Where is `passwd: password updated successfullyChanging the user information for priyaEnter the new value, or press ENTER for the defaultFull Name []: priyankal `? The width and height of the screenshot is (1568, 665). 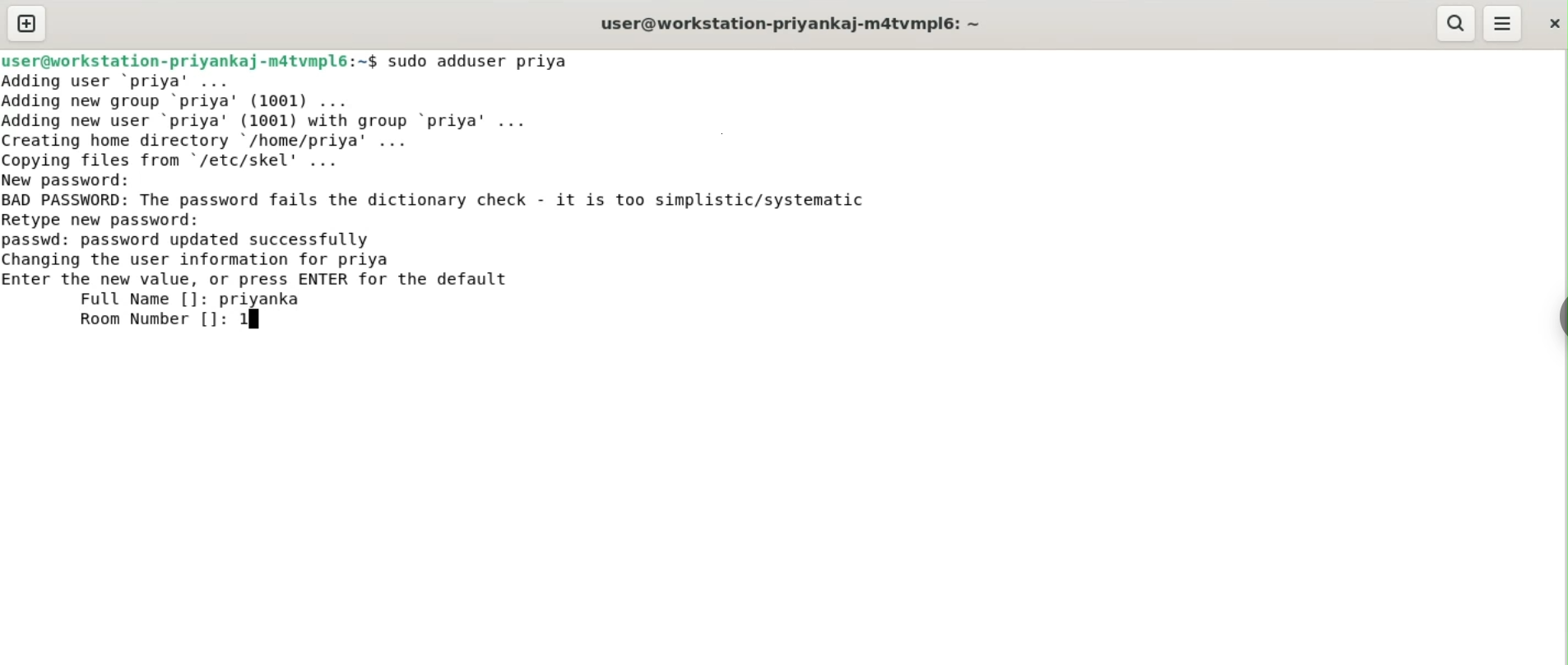 passwd: password updated successfullyChanging the user information for priyaEnter the new value, or press ENTER for the defaultFull Name []: priyankal  is located at coordinates (258, 270).